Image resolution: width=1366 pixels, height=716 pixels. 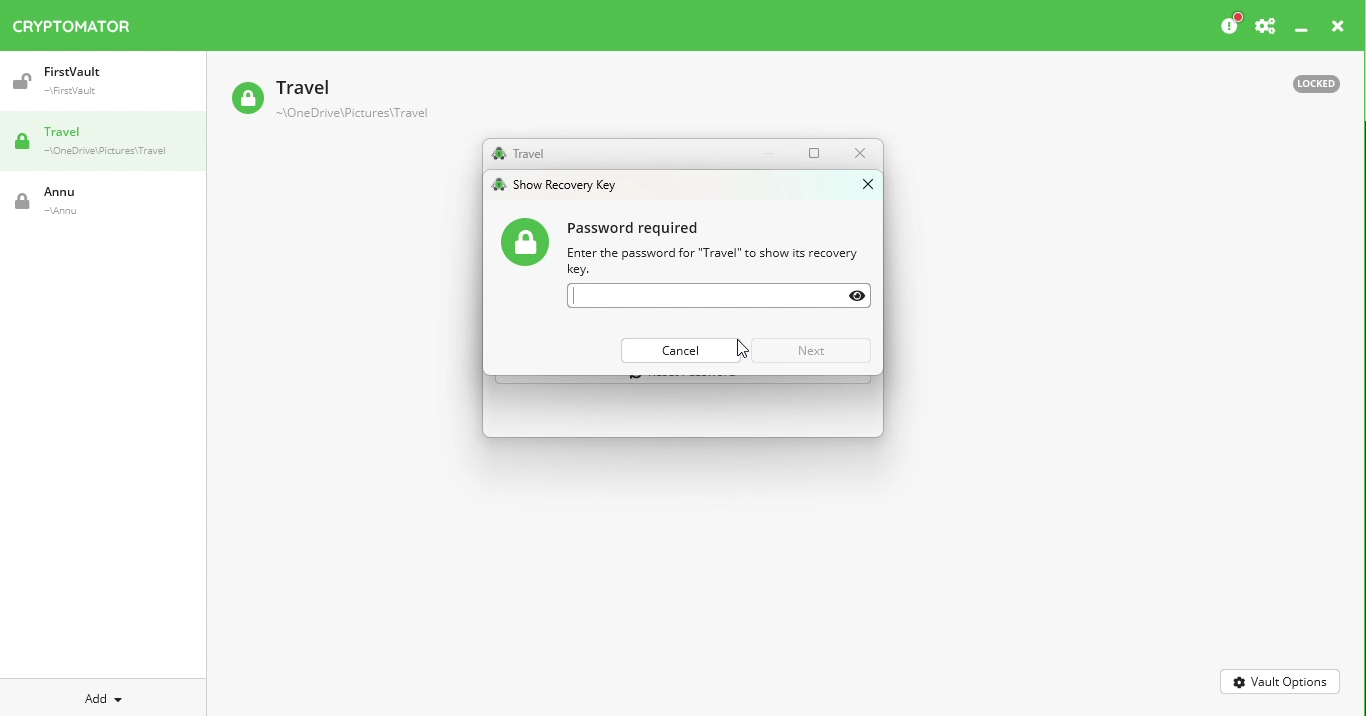 I want to click on Vault, so click(x=93, y=81).